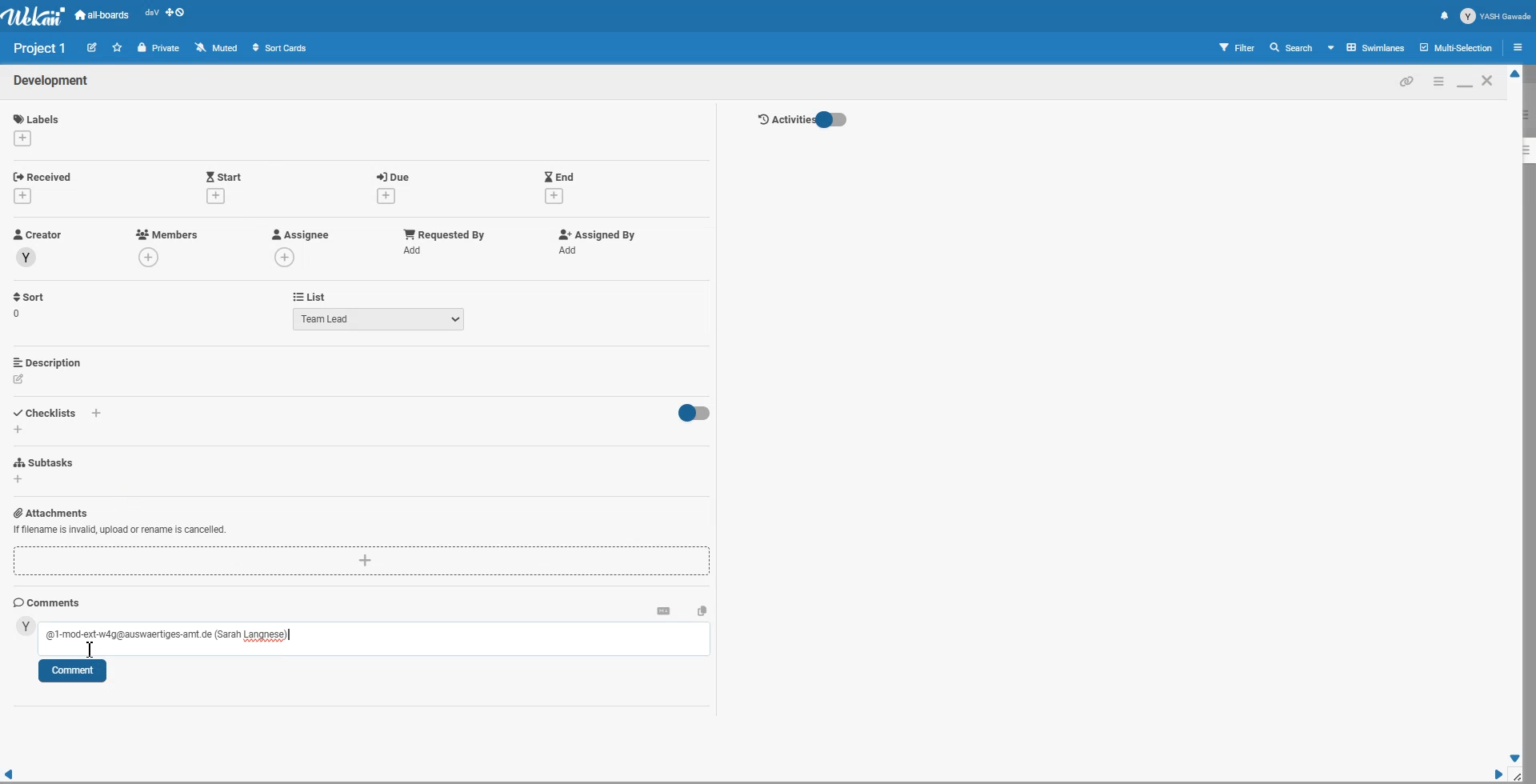 This screenshot has width=1536, height=784. What do you see at coordinates (19, 480) in the screenshot?
I see `add` at bounding box center [19, 480].